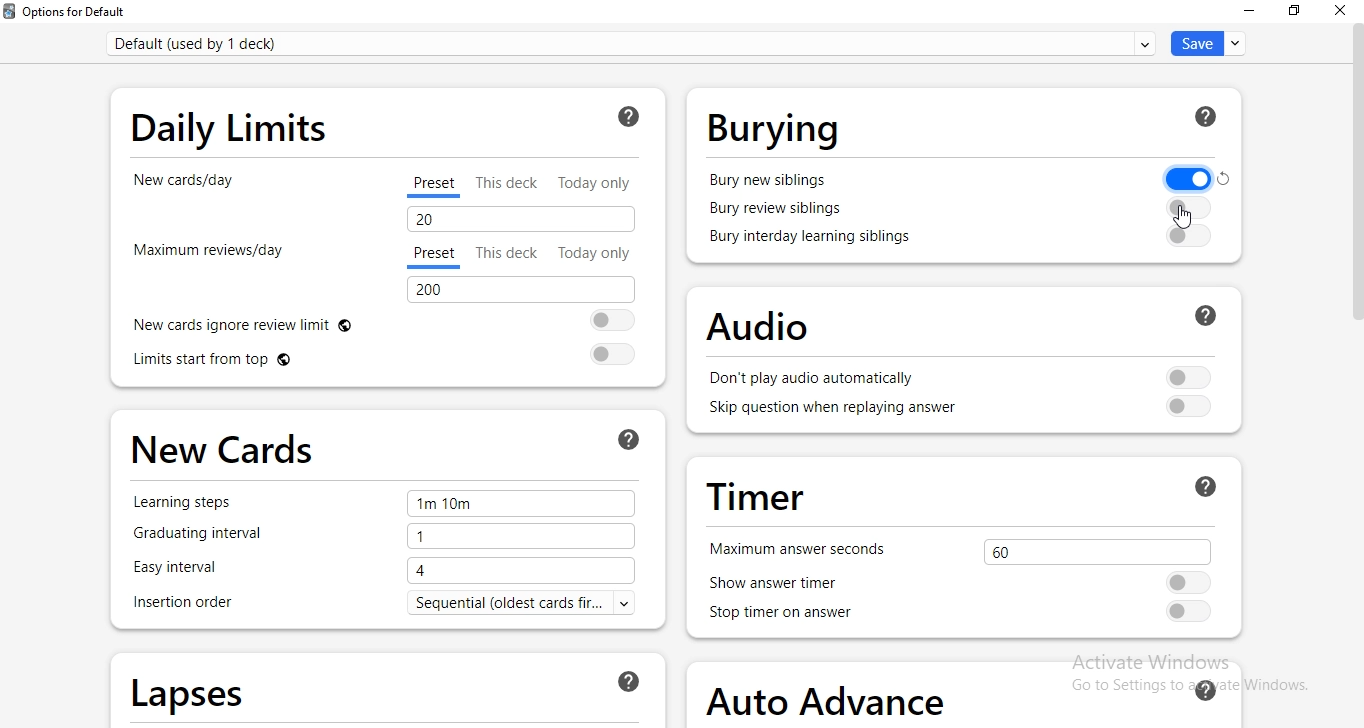 This screenshot has height=728, width=1364. Describe the element at coordinates (511, 253) in the screenshot. I see `this deck` at that location.